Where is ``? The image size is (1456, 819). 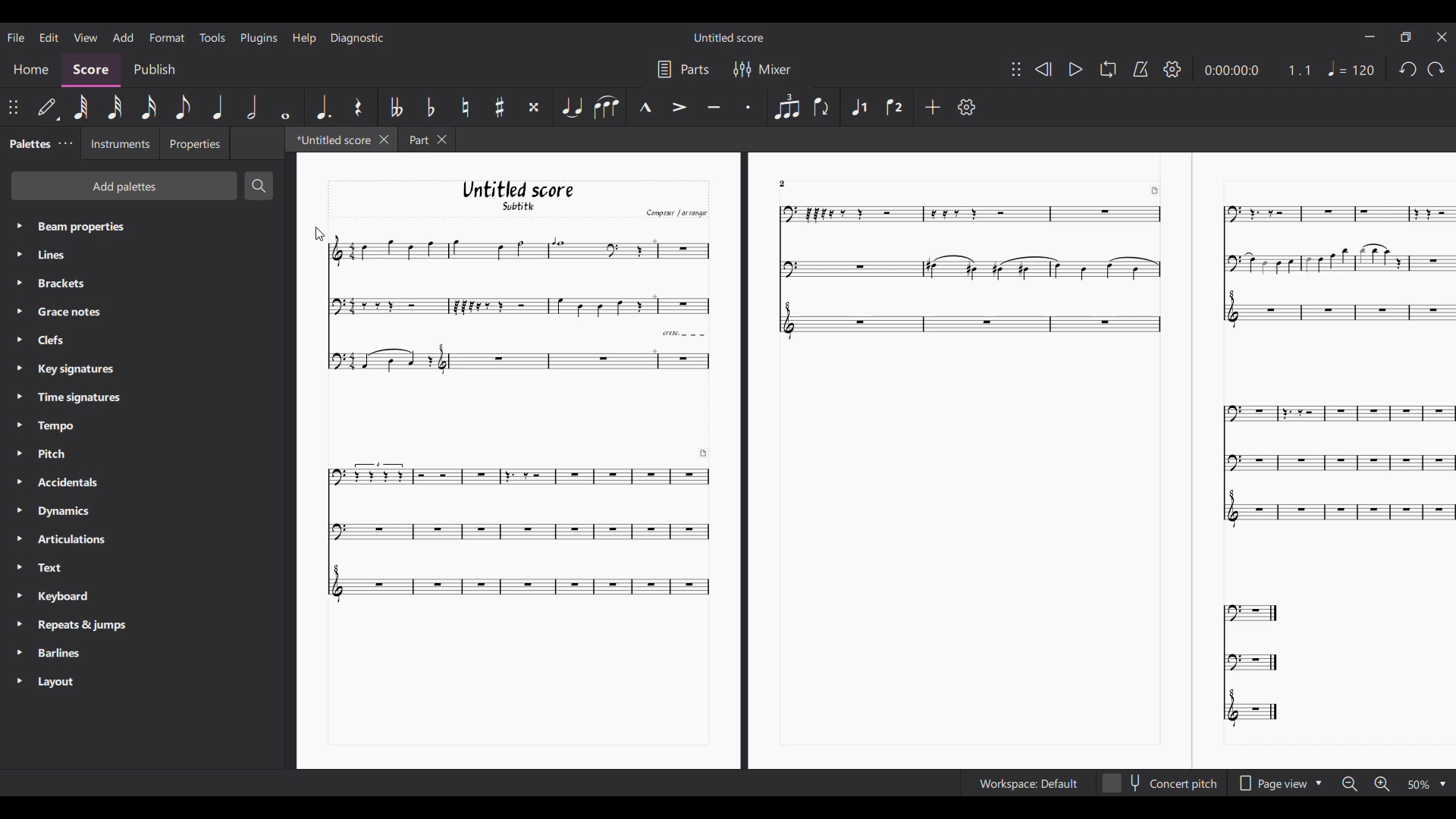
 is located at coordinates (1250, 661).